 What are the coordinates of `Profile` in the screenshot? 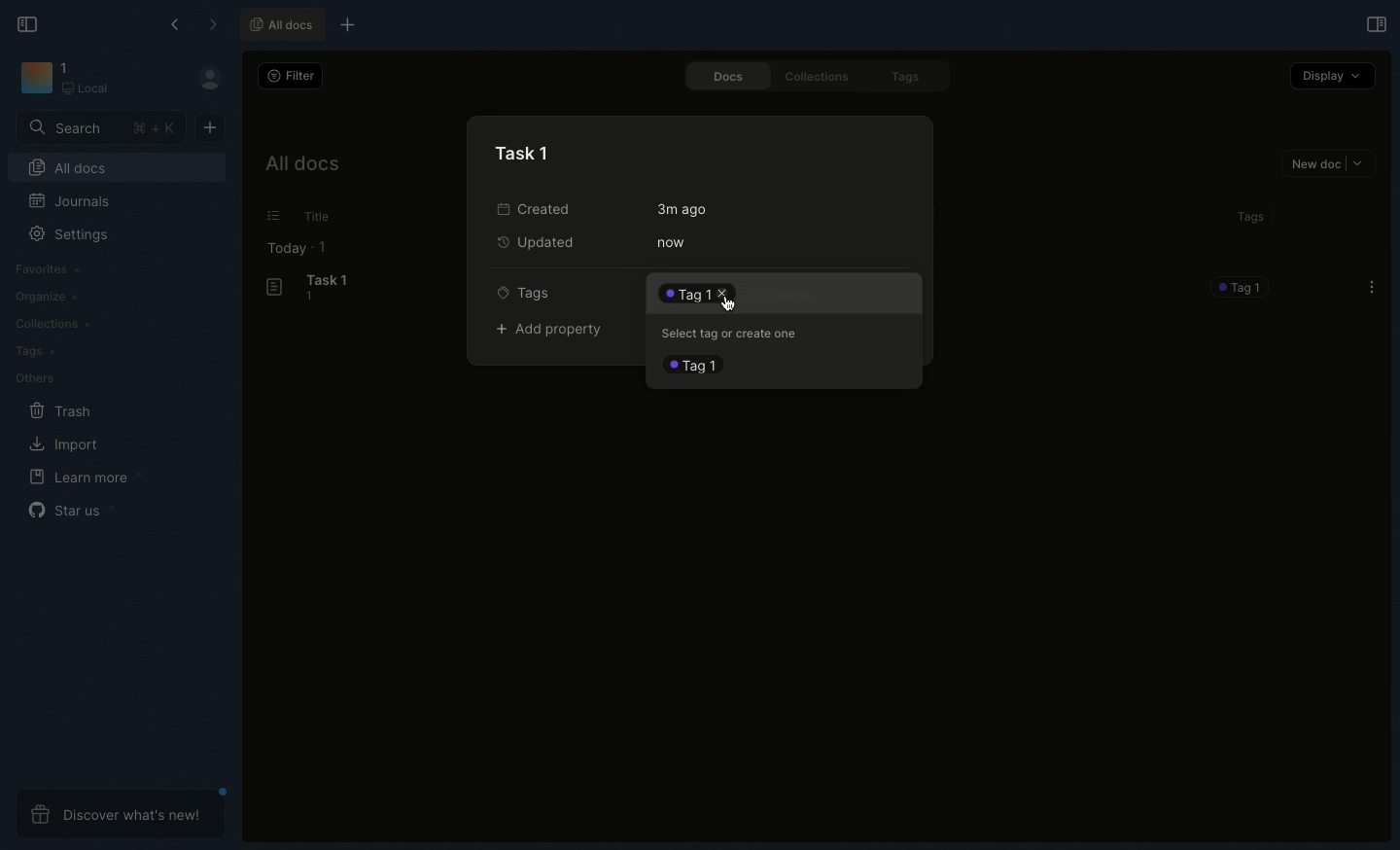 It's located at (208, 77).